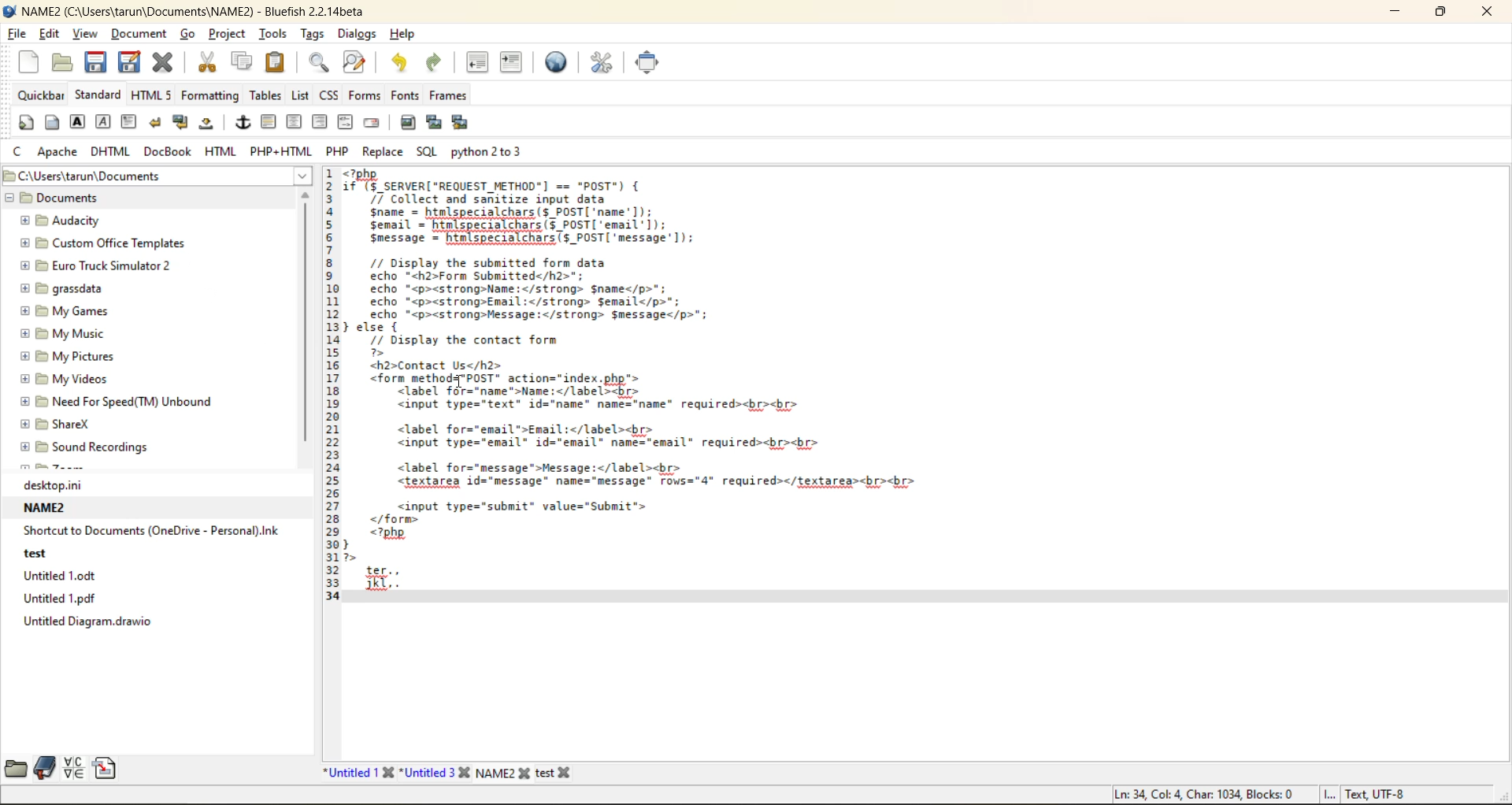 The height and width of the screenshot is (805, 1512). What do you see at coordinates (188, 33) in the screenshot?
I see `go` at bounding box center [188, 33].